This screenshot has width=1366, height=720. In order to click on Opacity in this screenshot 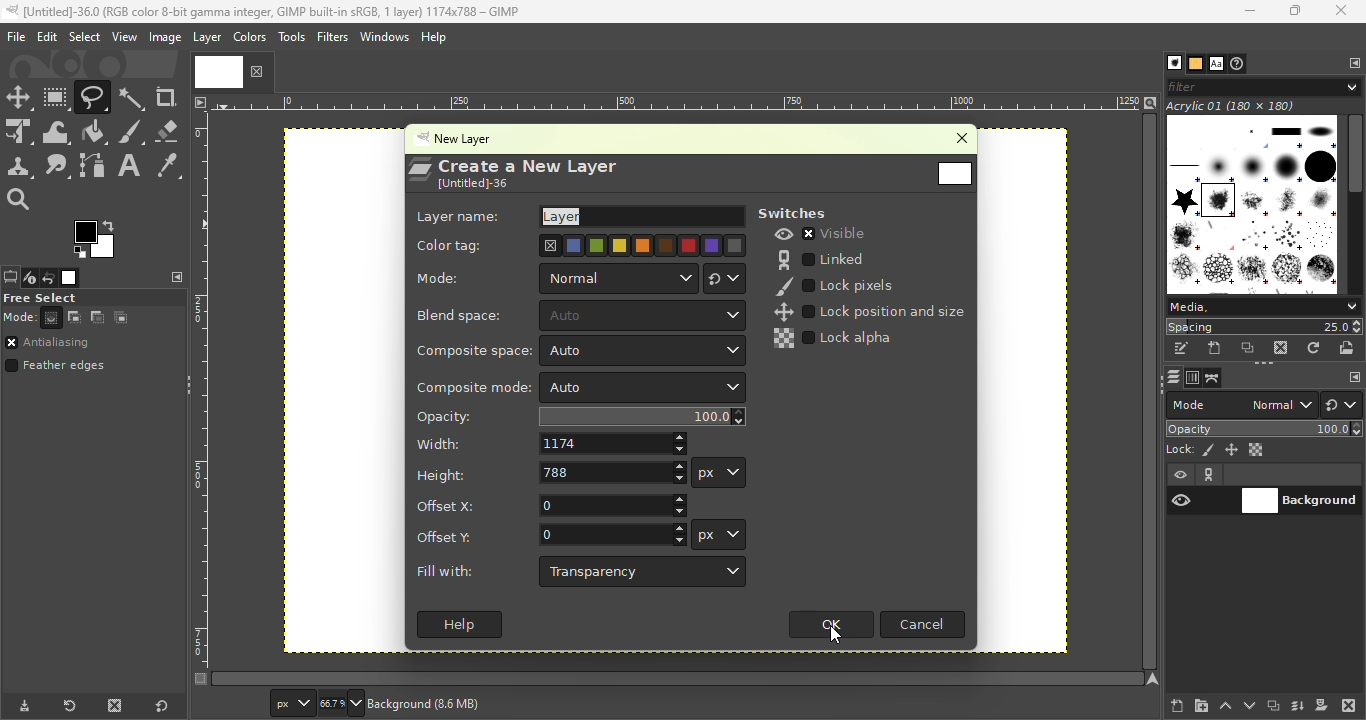, I will do `click(580, 416)`.